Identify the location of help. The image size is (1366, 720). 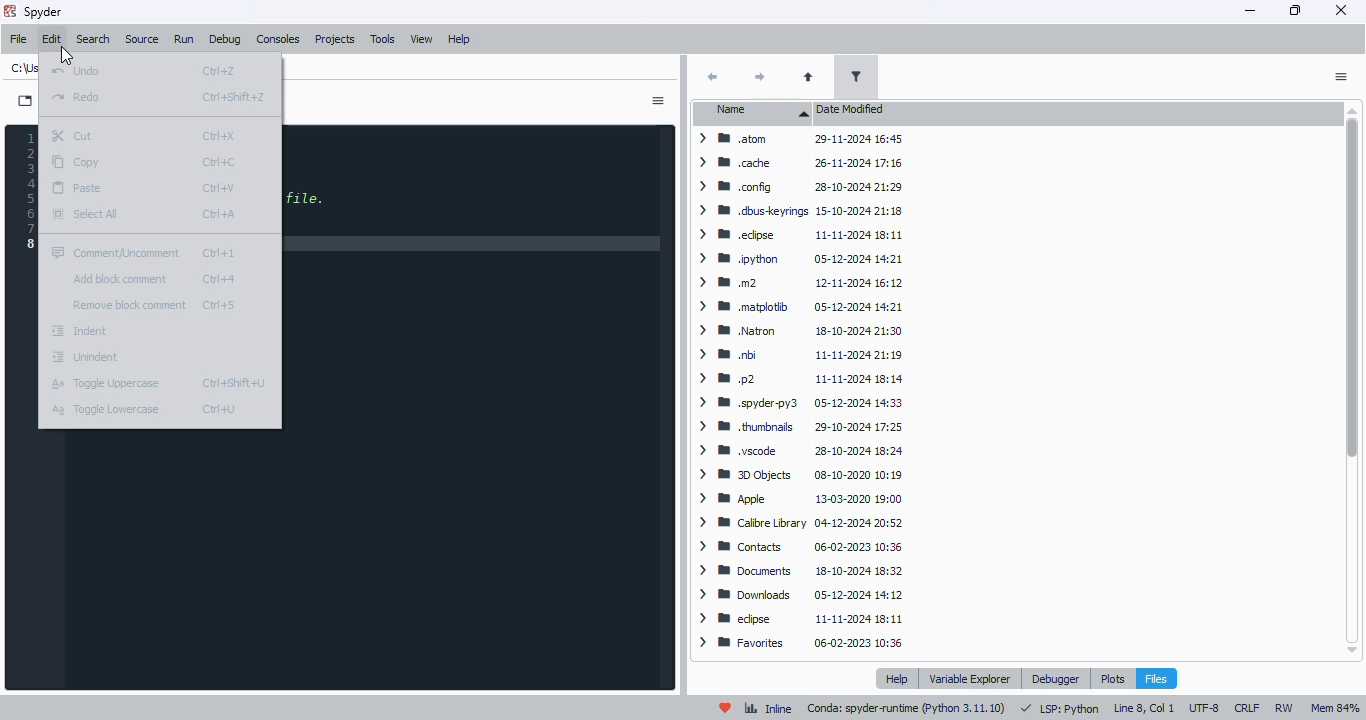
(899, 679).